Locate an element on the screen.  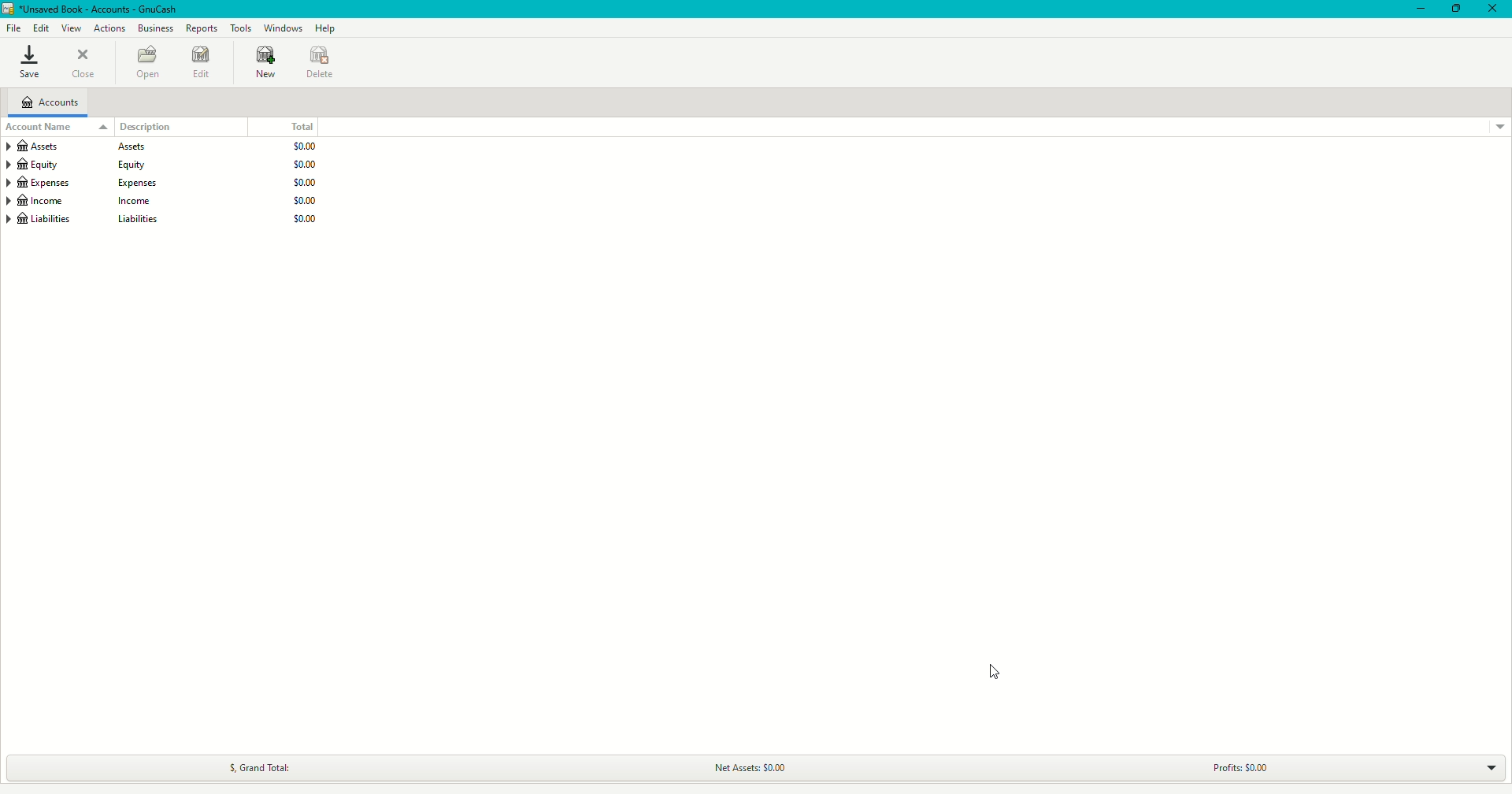
Equity is located at coordinates (162, 165).